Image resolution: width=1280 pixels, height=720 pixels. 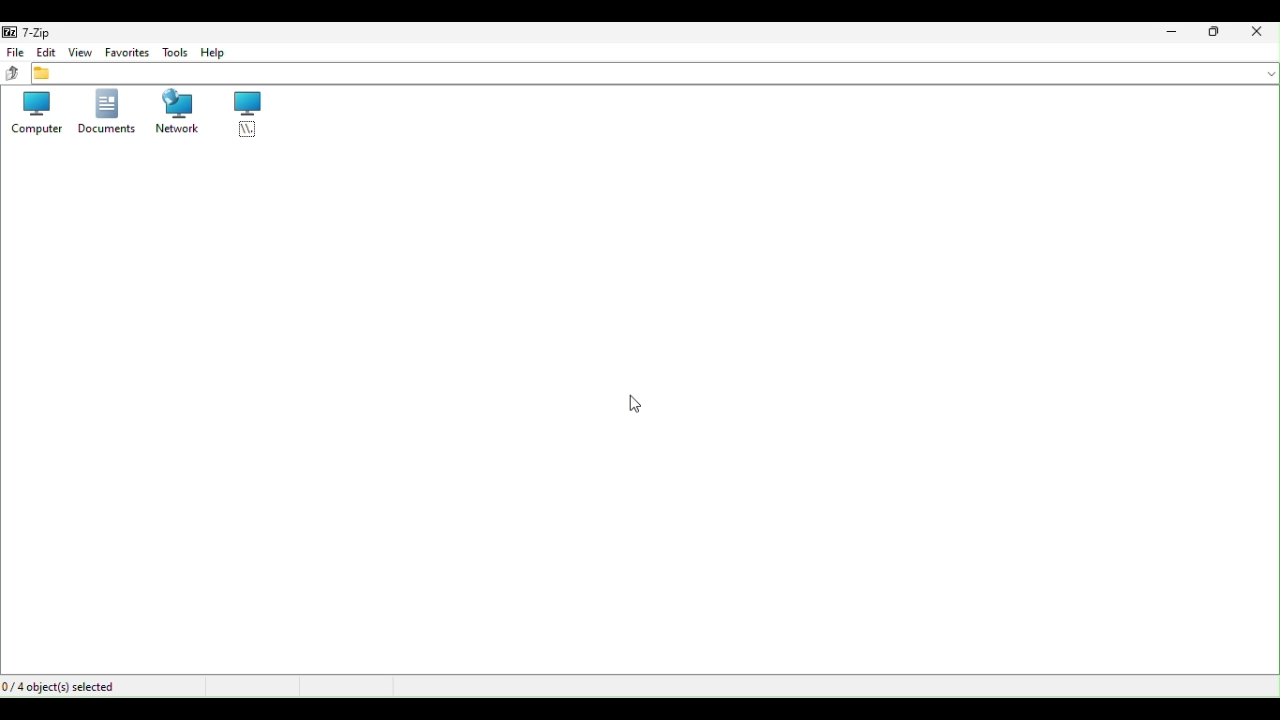 What do you see at coordinates (11, 74) in the screenshot?
I see `up` at bounding box center [11, 74].